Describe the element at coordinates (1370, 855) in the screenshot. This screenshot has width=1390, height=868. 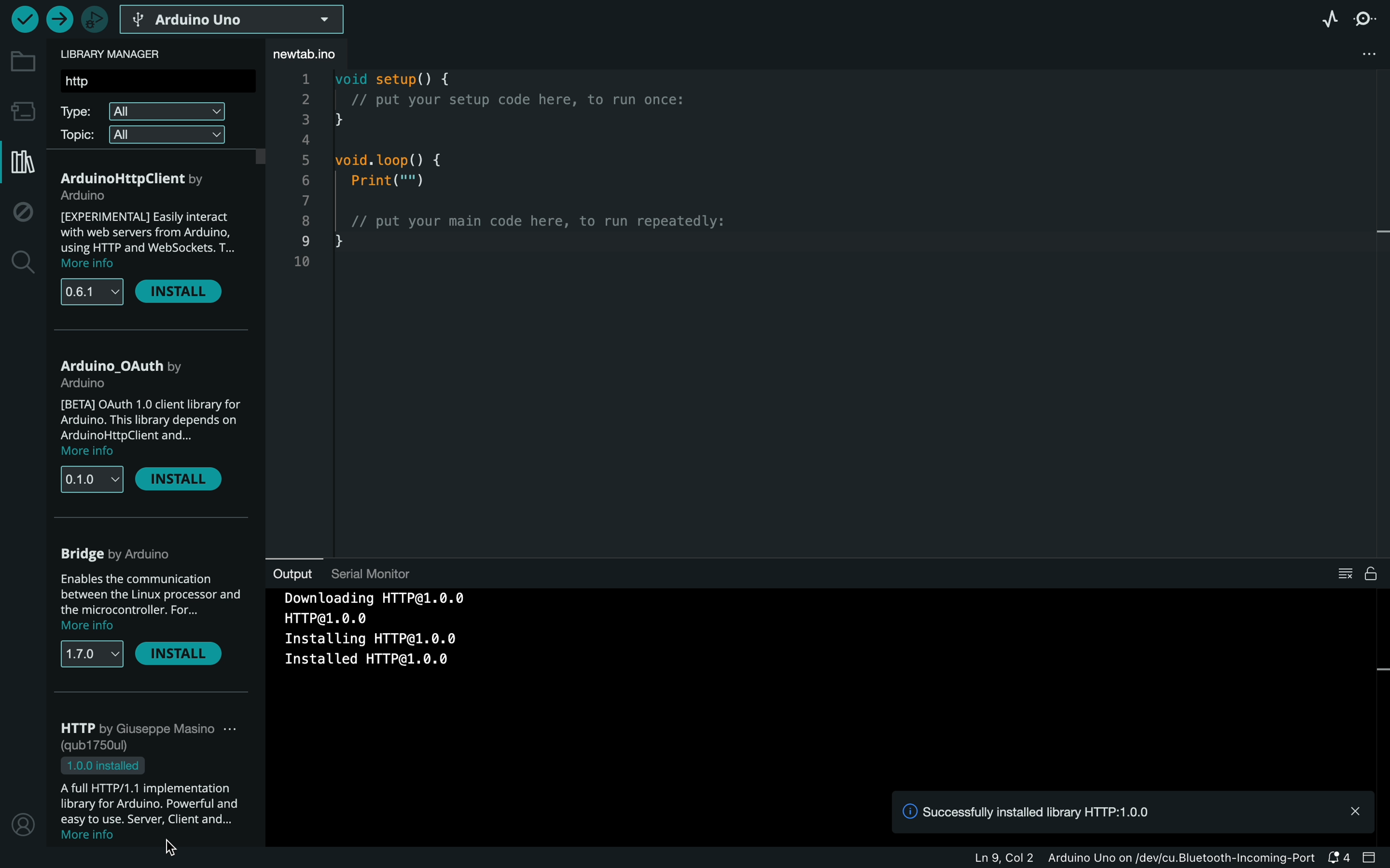
I see `close slide bar` at that location.